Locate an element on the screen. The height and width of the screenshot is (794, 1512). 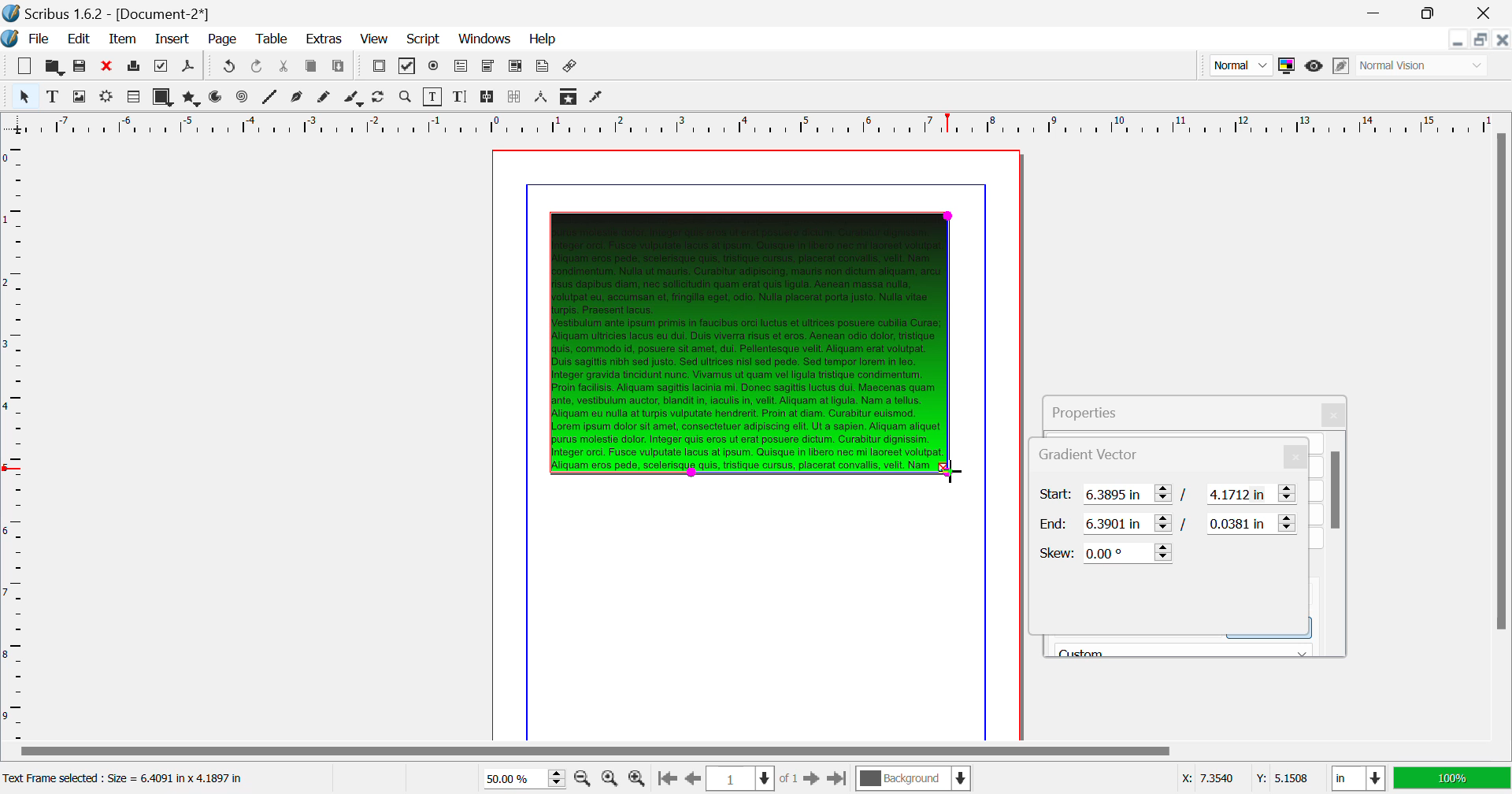
Undo is located at coordinates (259, 68).